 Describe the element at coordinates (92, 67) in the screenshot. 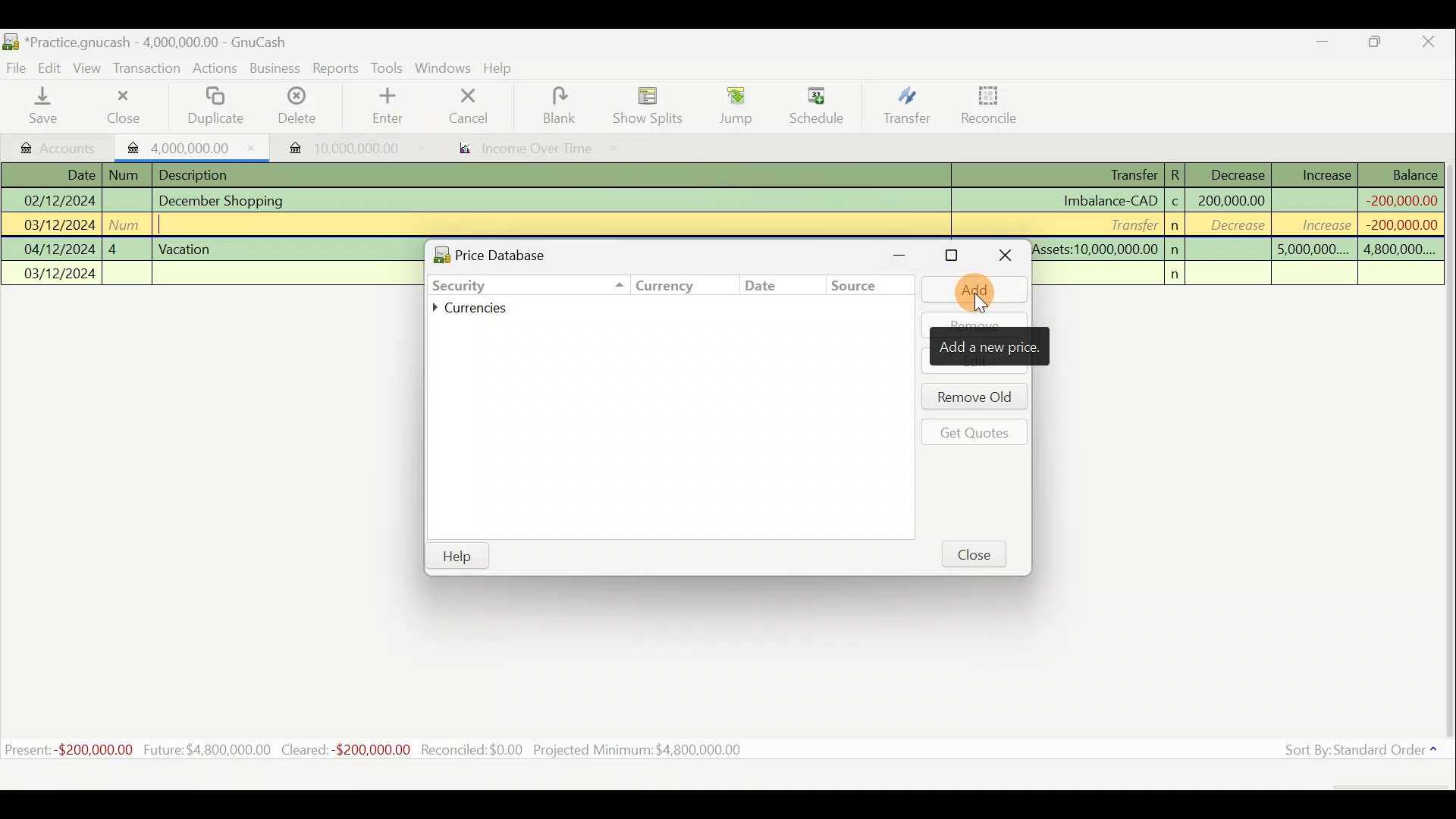

I see `View` at that location.